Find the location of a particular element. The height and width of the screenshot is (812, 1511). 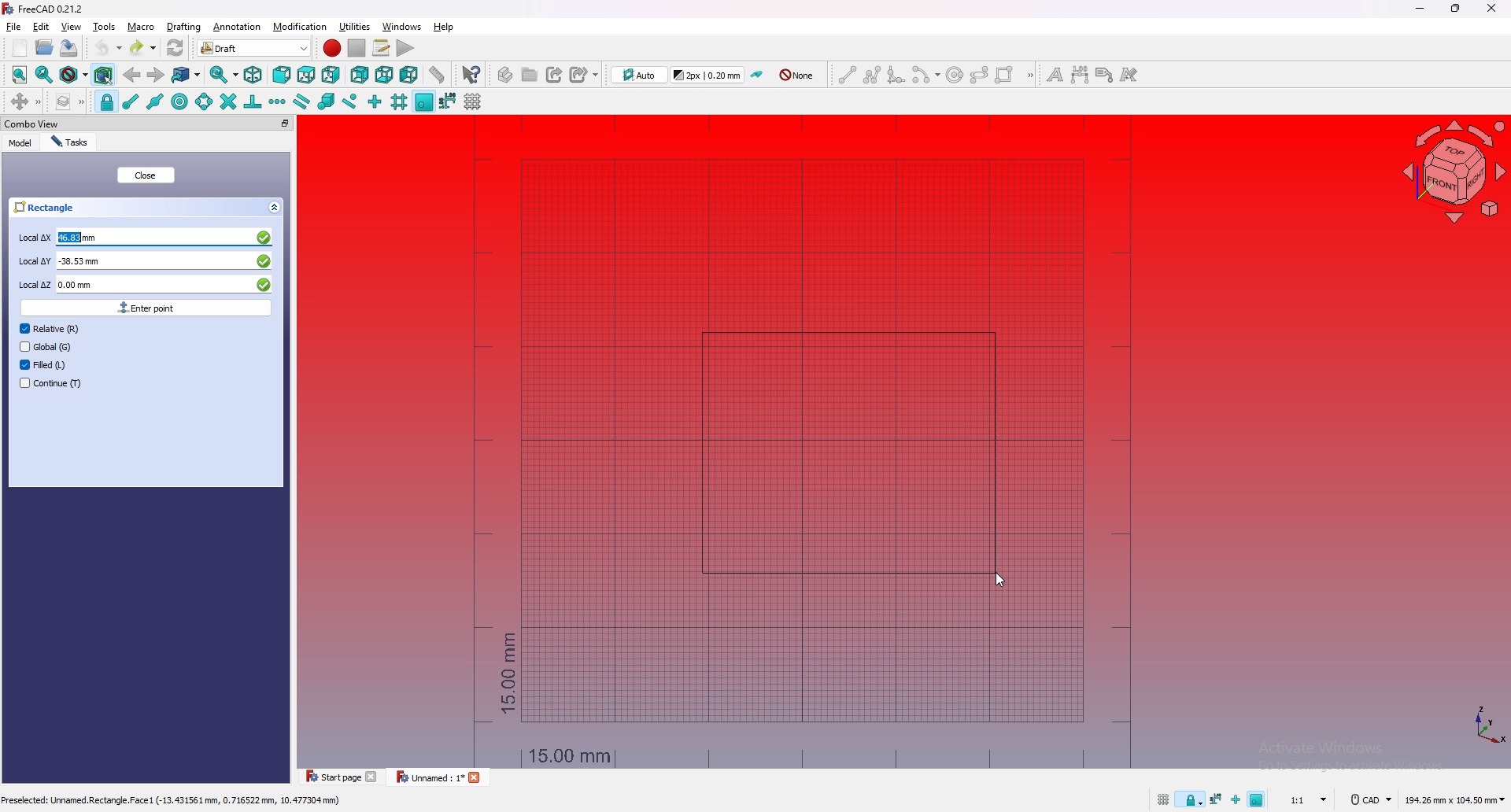

dimension is located at coordinates (1080, 75).